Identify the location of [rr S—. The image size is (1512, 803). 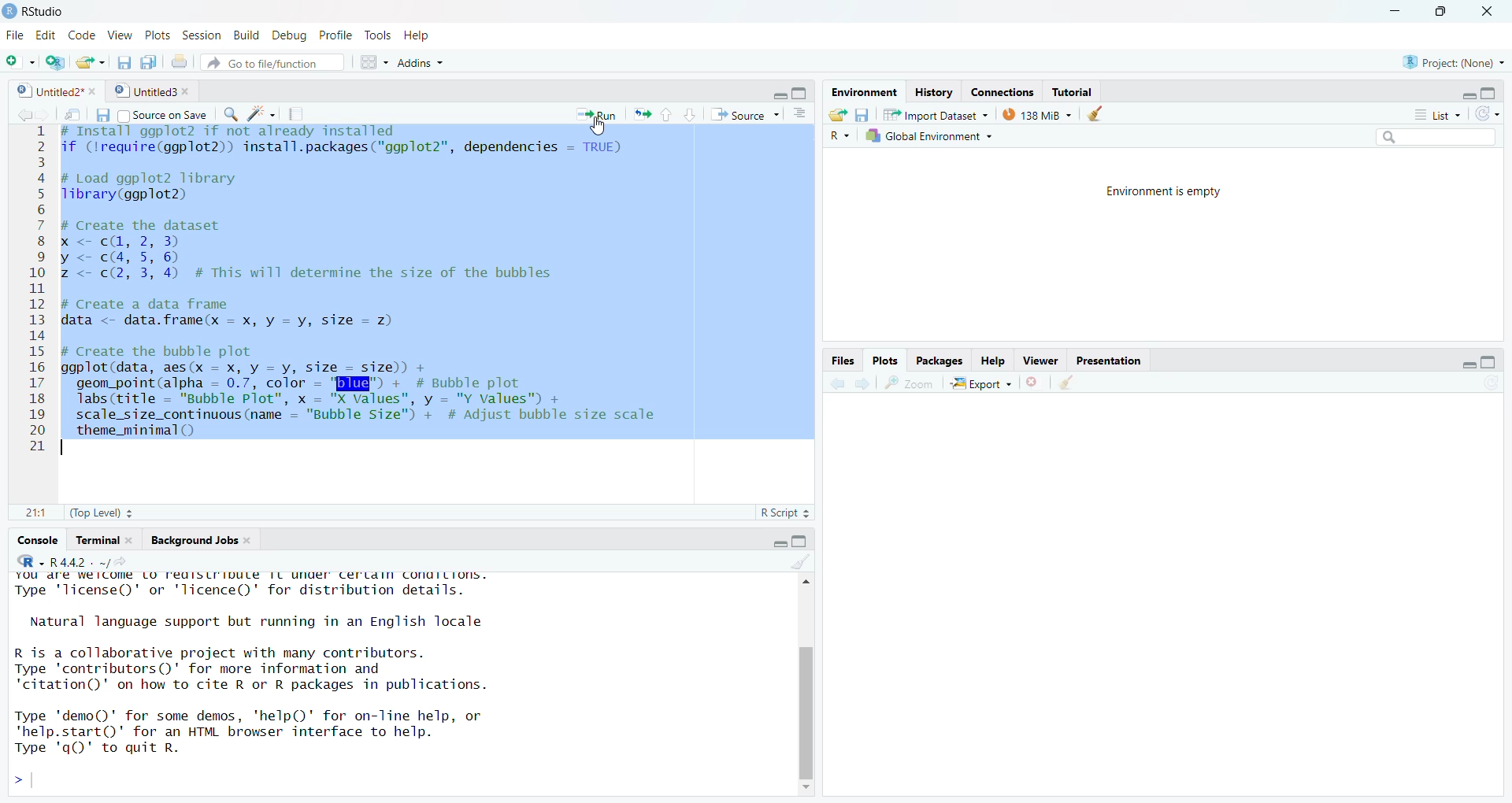
(862, 88).